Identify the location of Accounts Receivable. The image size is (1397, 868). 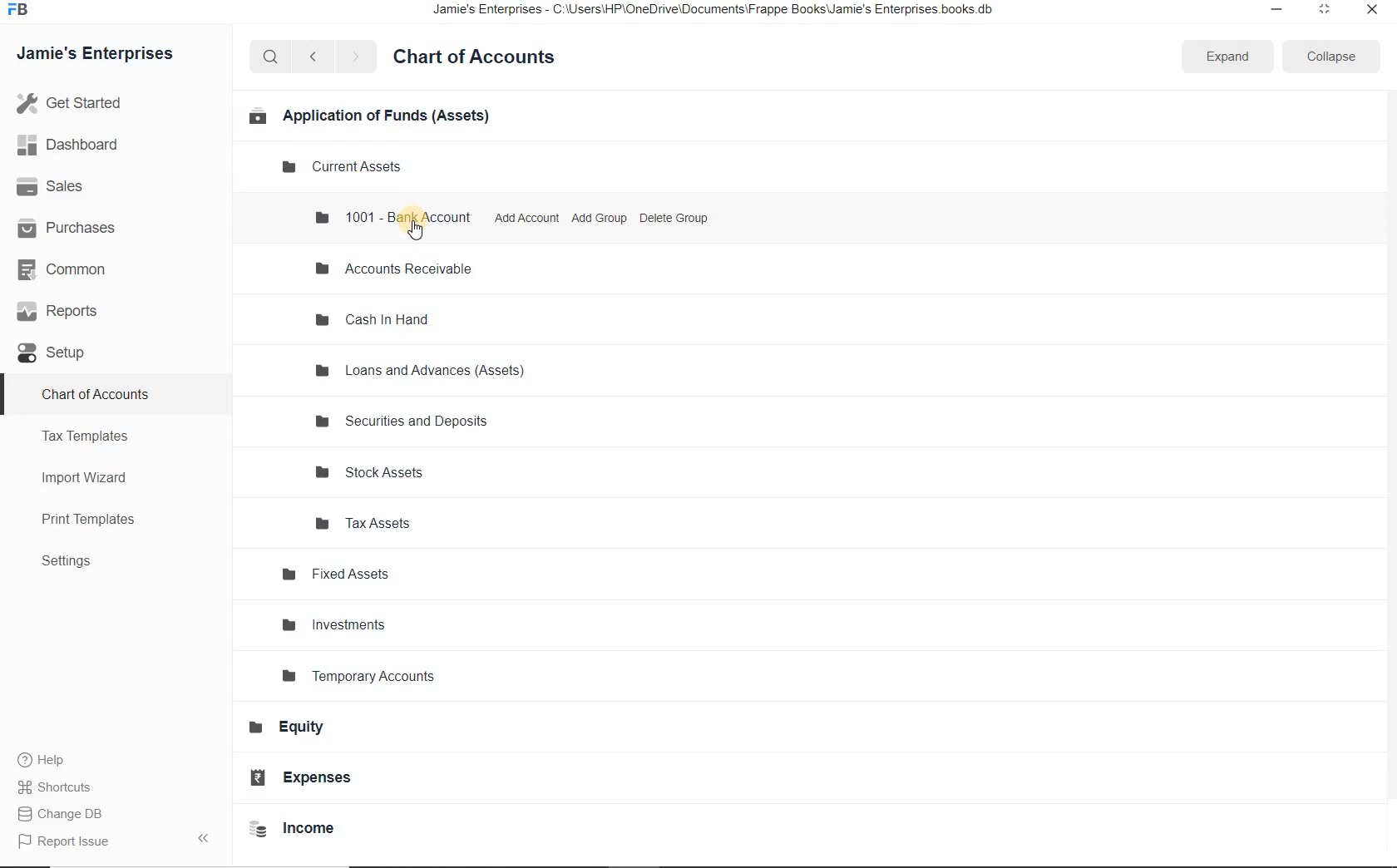
(399, 269).